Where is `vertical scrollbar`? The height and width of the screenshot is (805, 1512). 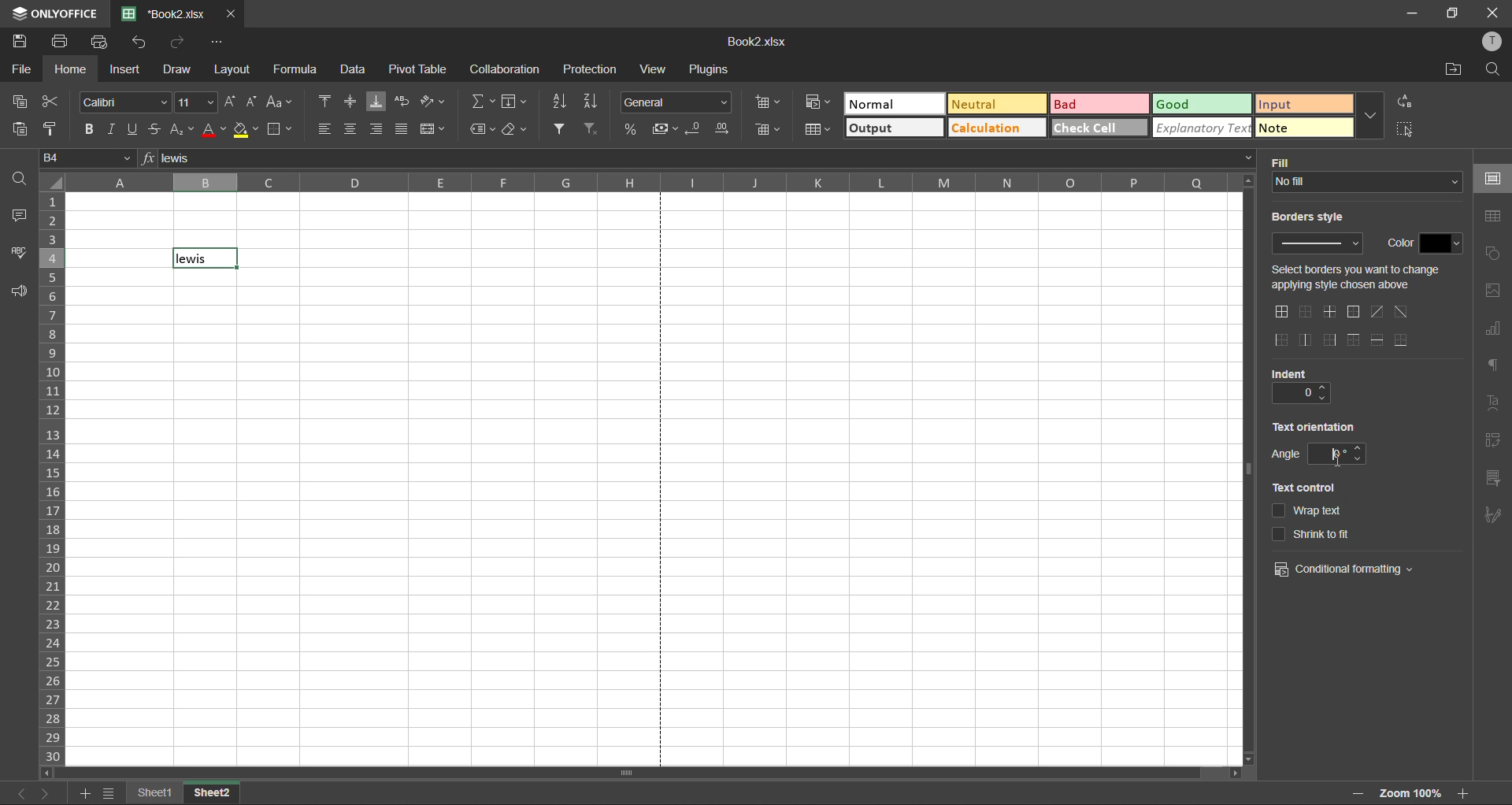 vertical scrollbar is located at coordinates (1243, 469).